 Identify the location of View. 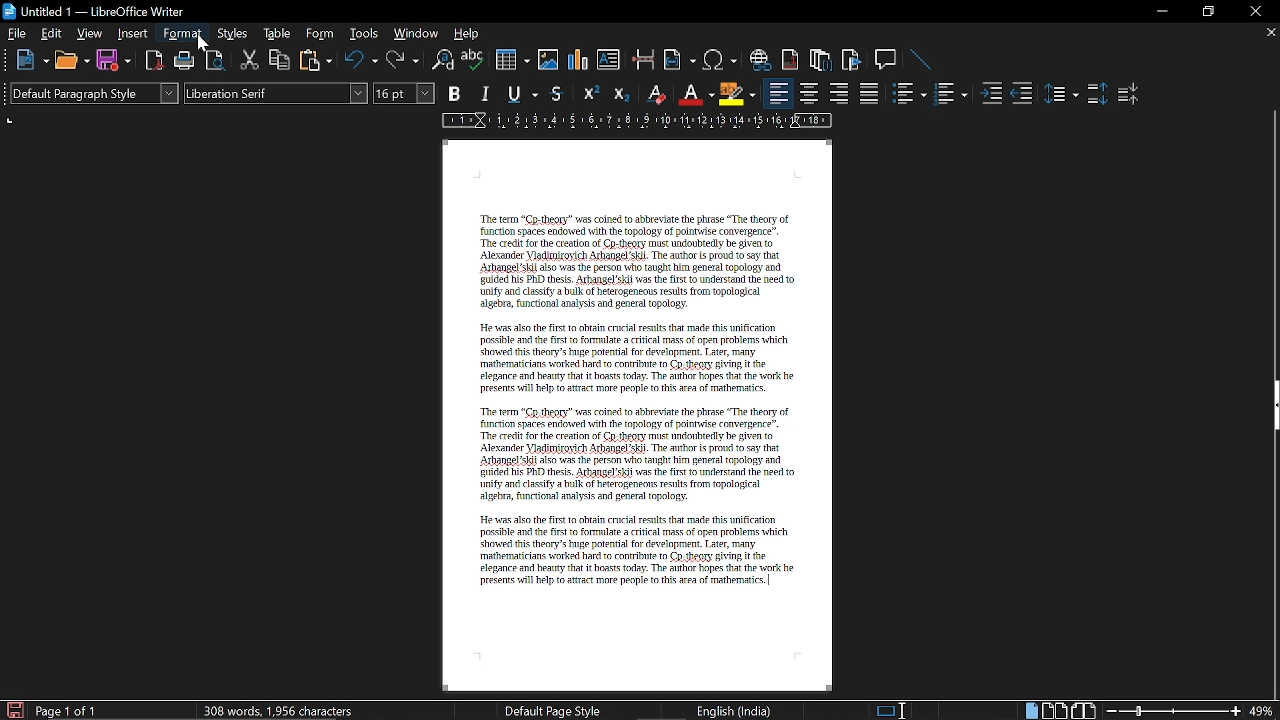
(88, 34).